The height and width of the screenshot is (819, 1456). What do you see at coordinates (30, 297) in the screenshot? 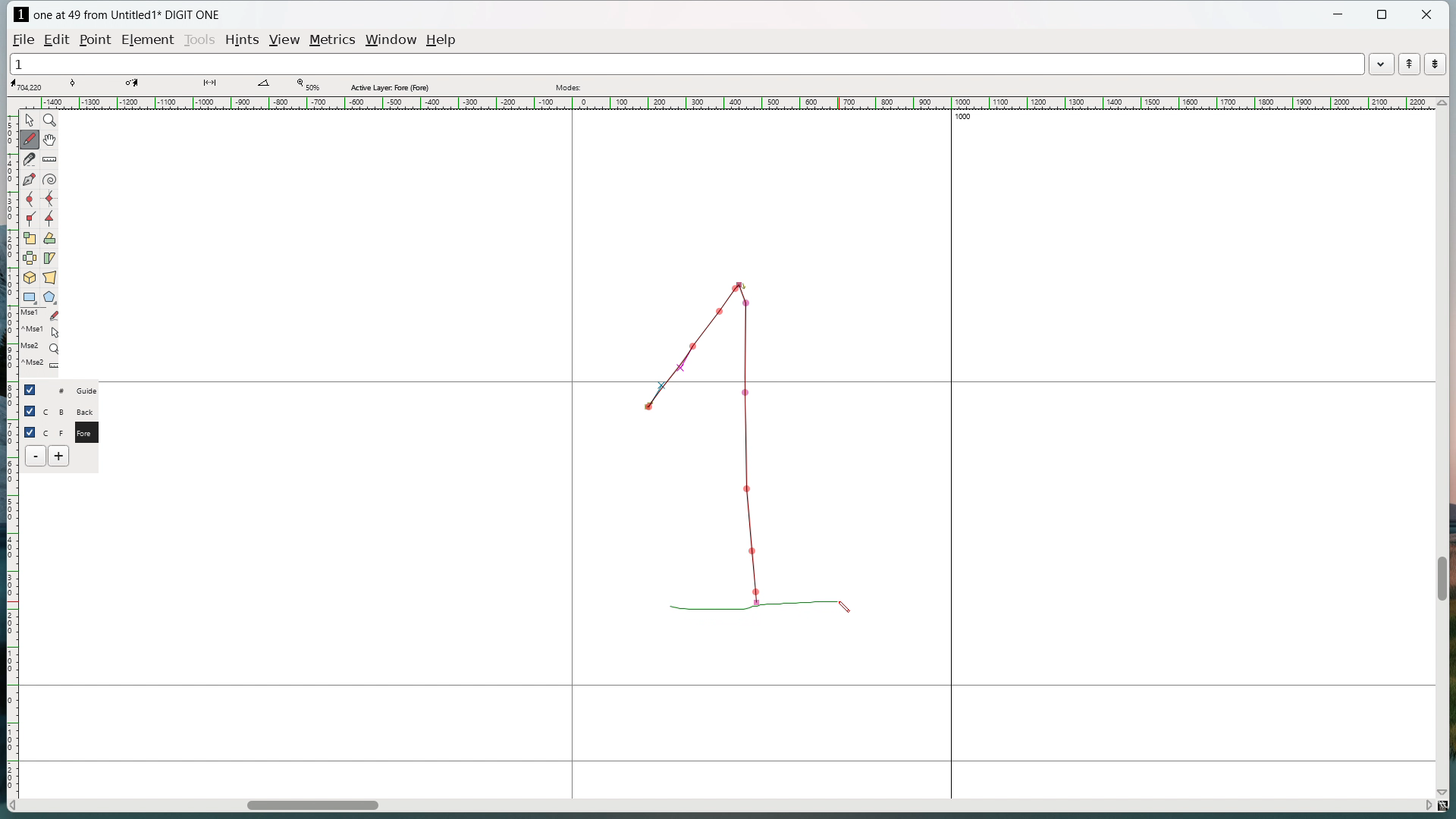
I see `rectangle/ellipse` at bounding box center [30, 297].